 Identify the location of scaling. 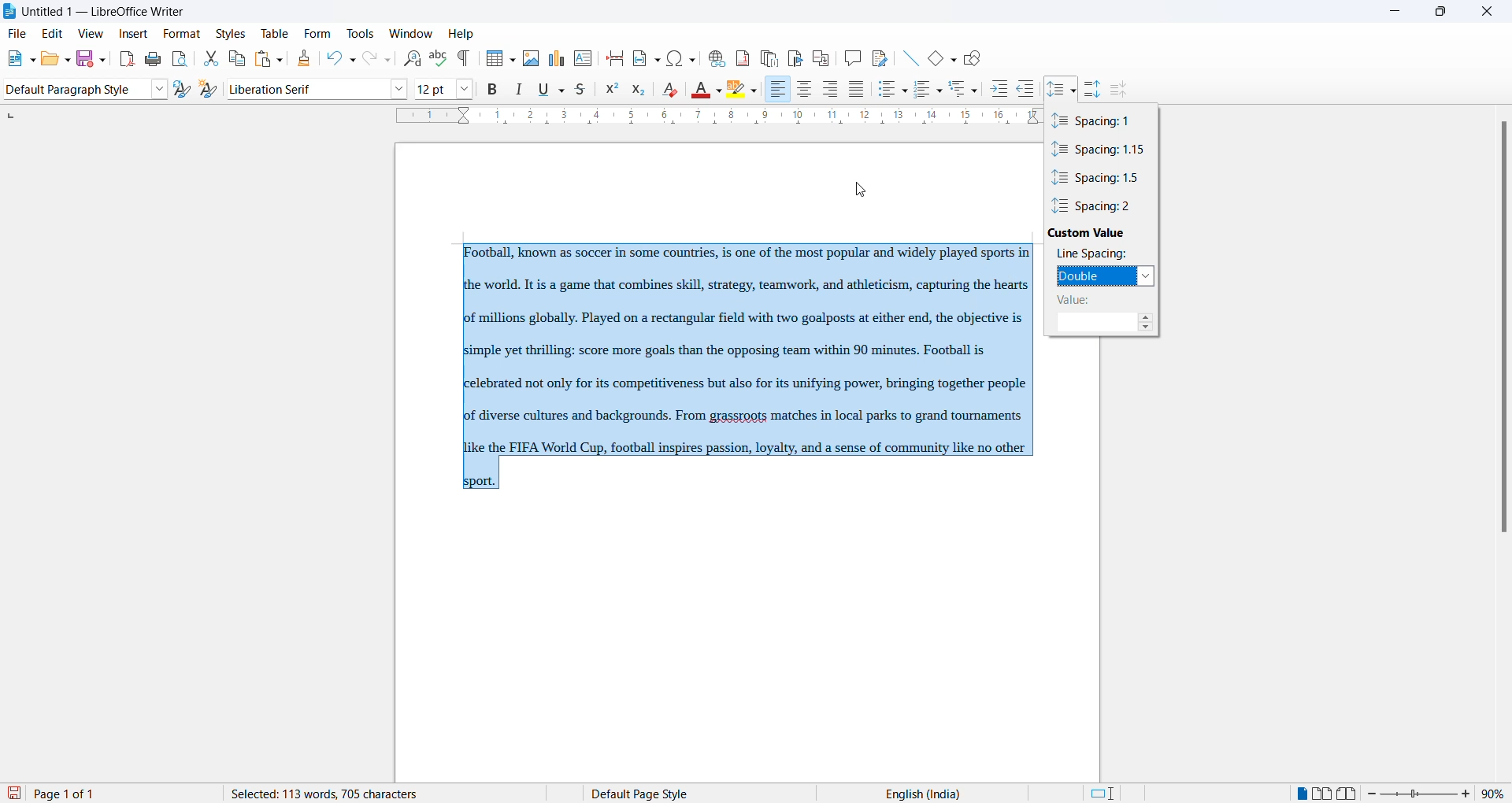
(710, 118).